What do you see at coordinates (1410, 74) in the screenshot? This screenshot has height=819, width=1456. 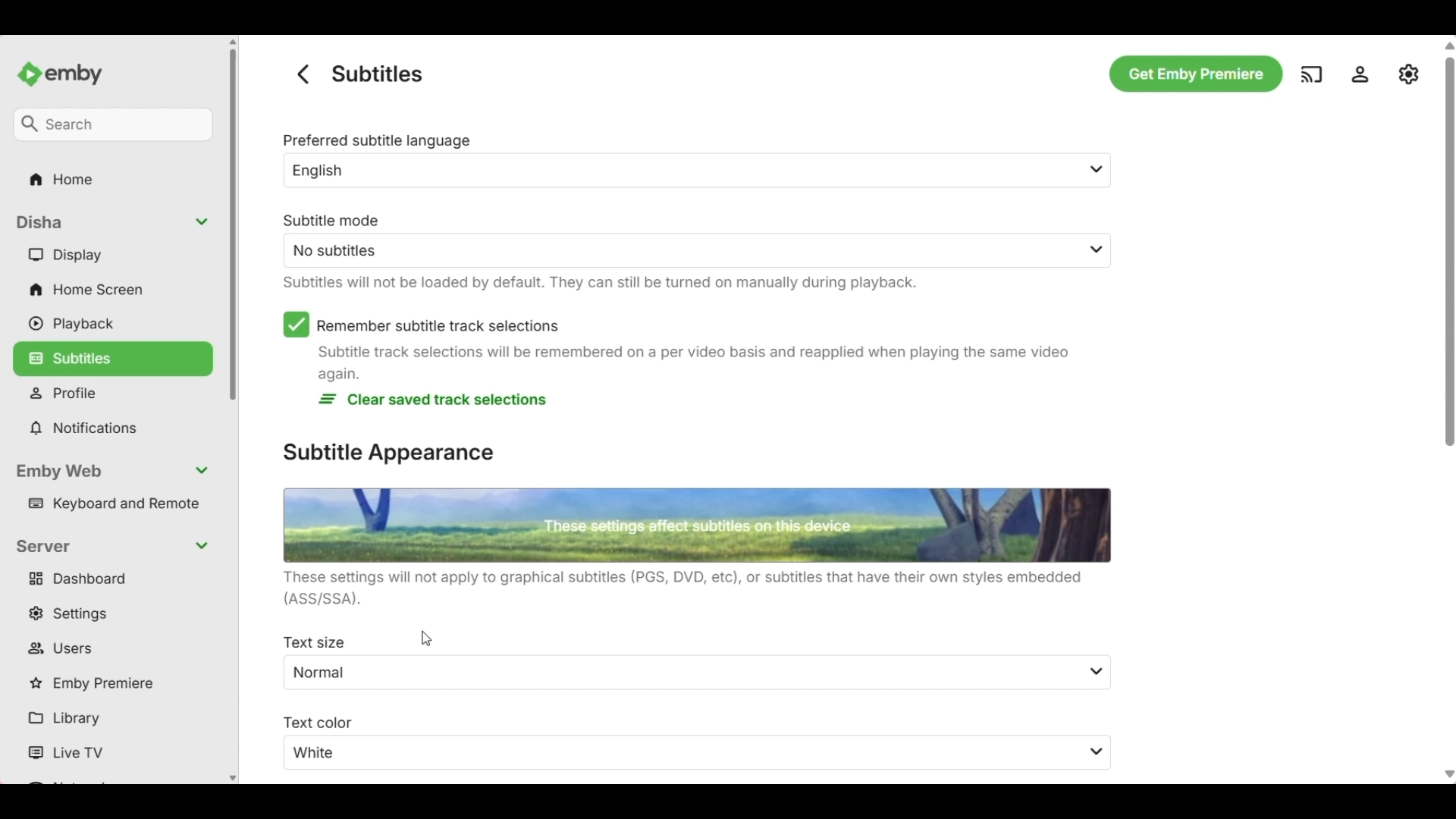 I see `` at bounding box center [1410, 74].